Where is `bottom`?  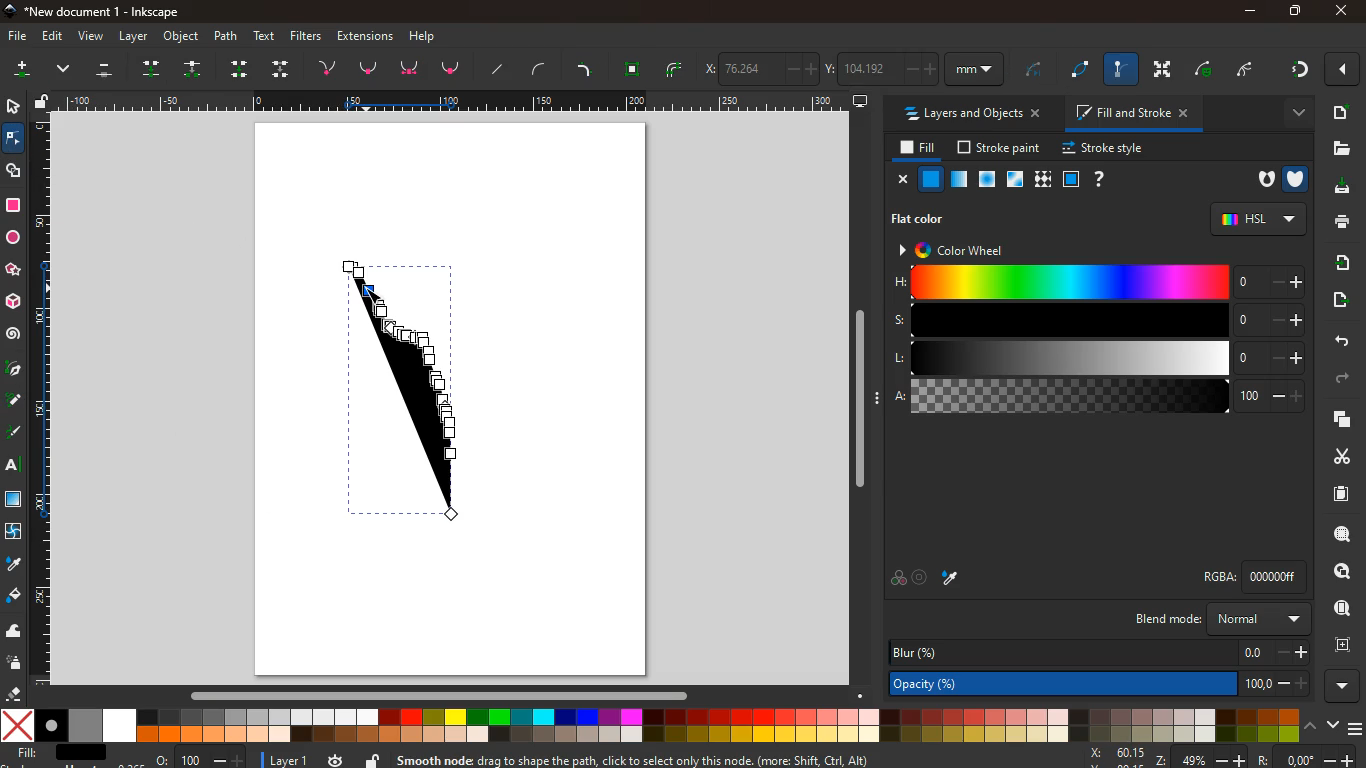 bottom is located at coordinates (453, 72).